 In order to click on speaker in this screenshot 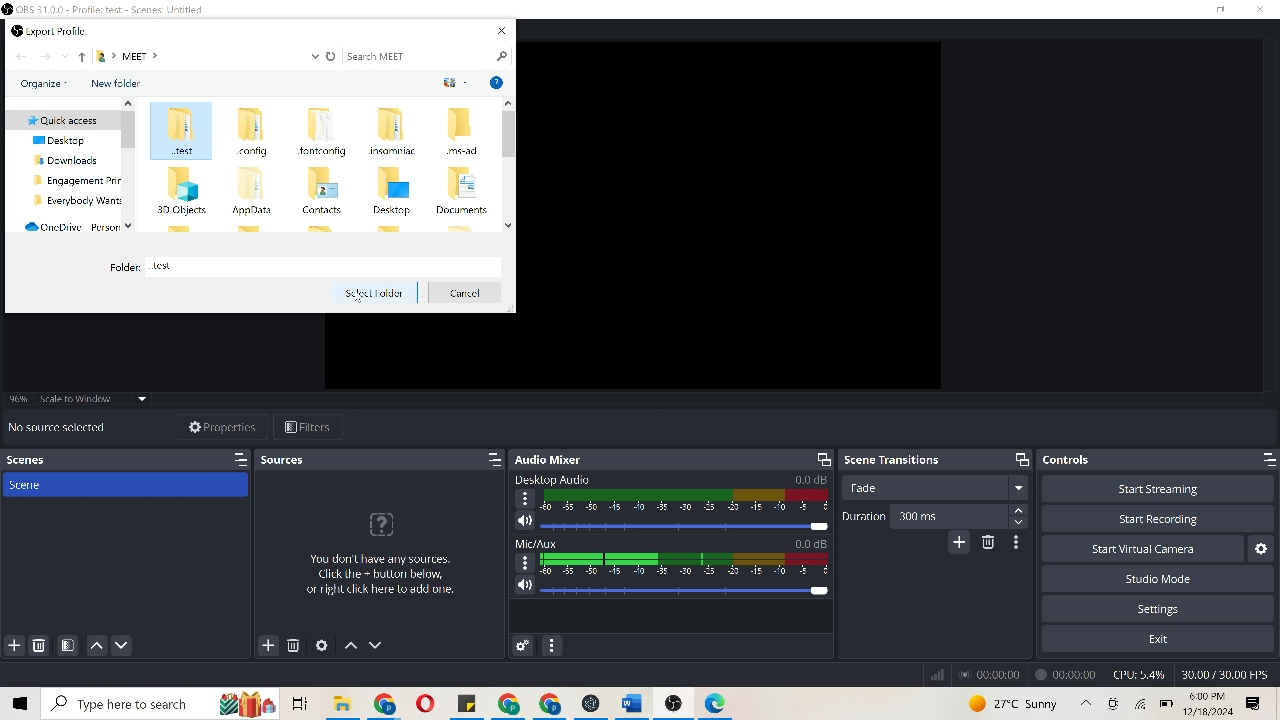, I will do `click(523, 585)`.